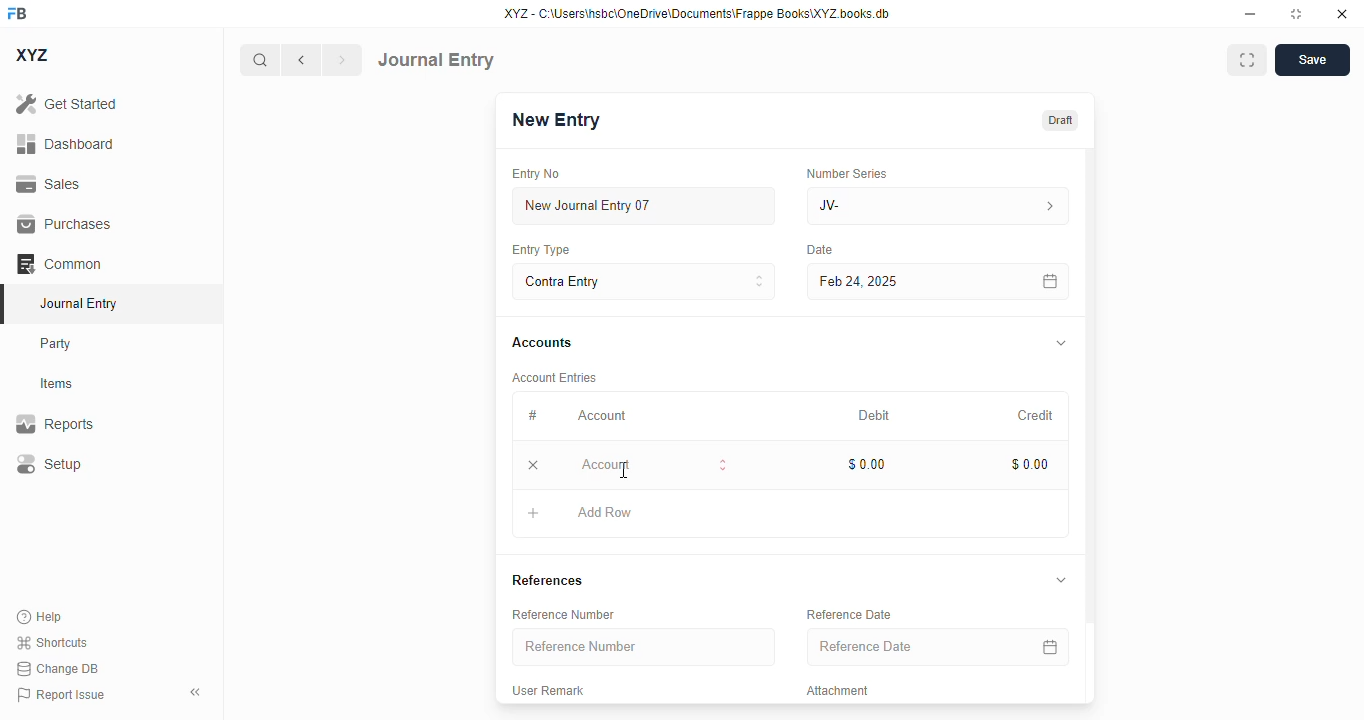 This screenshot has width=1364, height=720. What do you see at coordinates (259, 60) in the screenshot?
I see `search` at bounding box center [259, 60].